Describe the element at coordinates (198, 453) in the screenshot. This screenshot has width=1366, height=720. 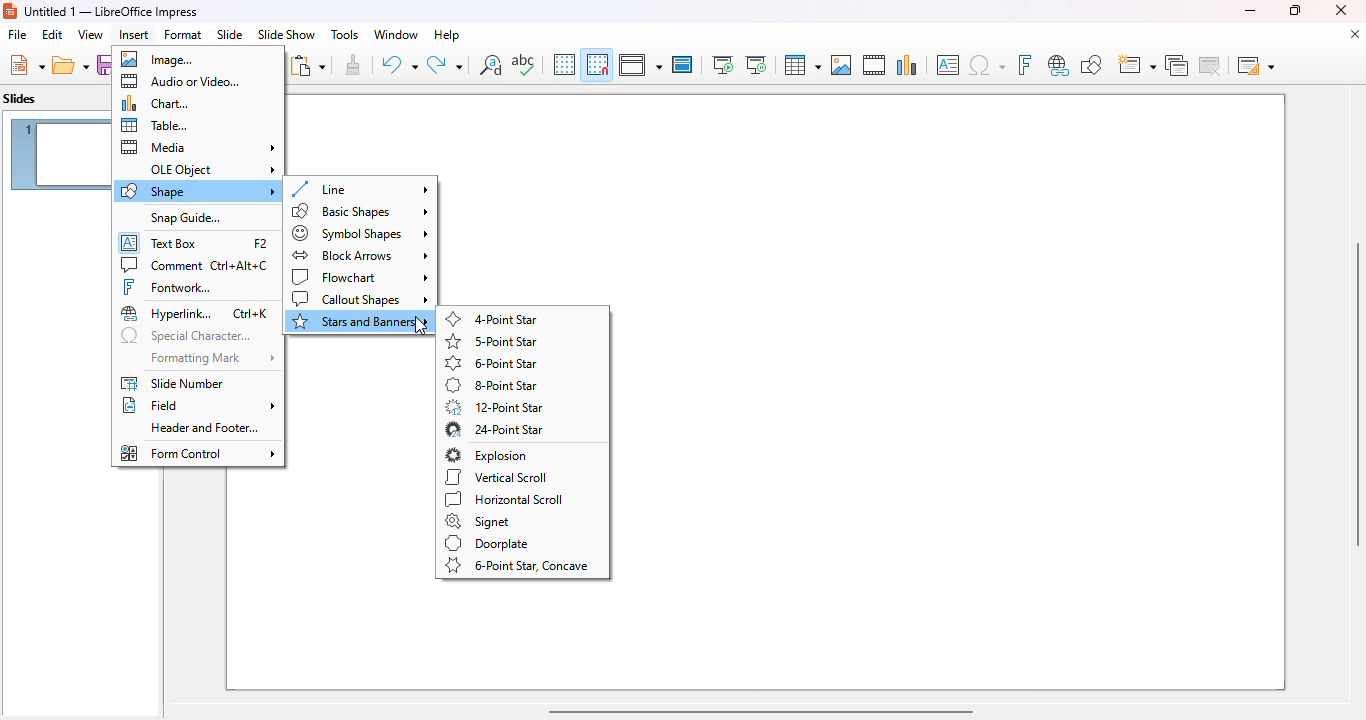
I see `form control` at that location.